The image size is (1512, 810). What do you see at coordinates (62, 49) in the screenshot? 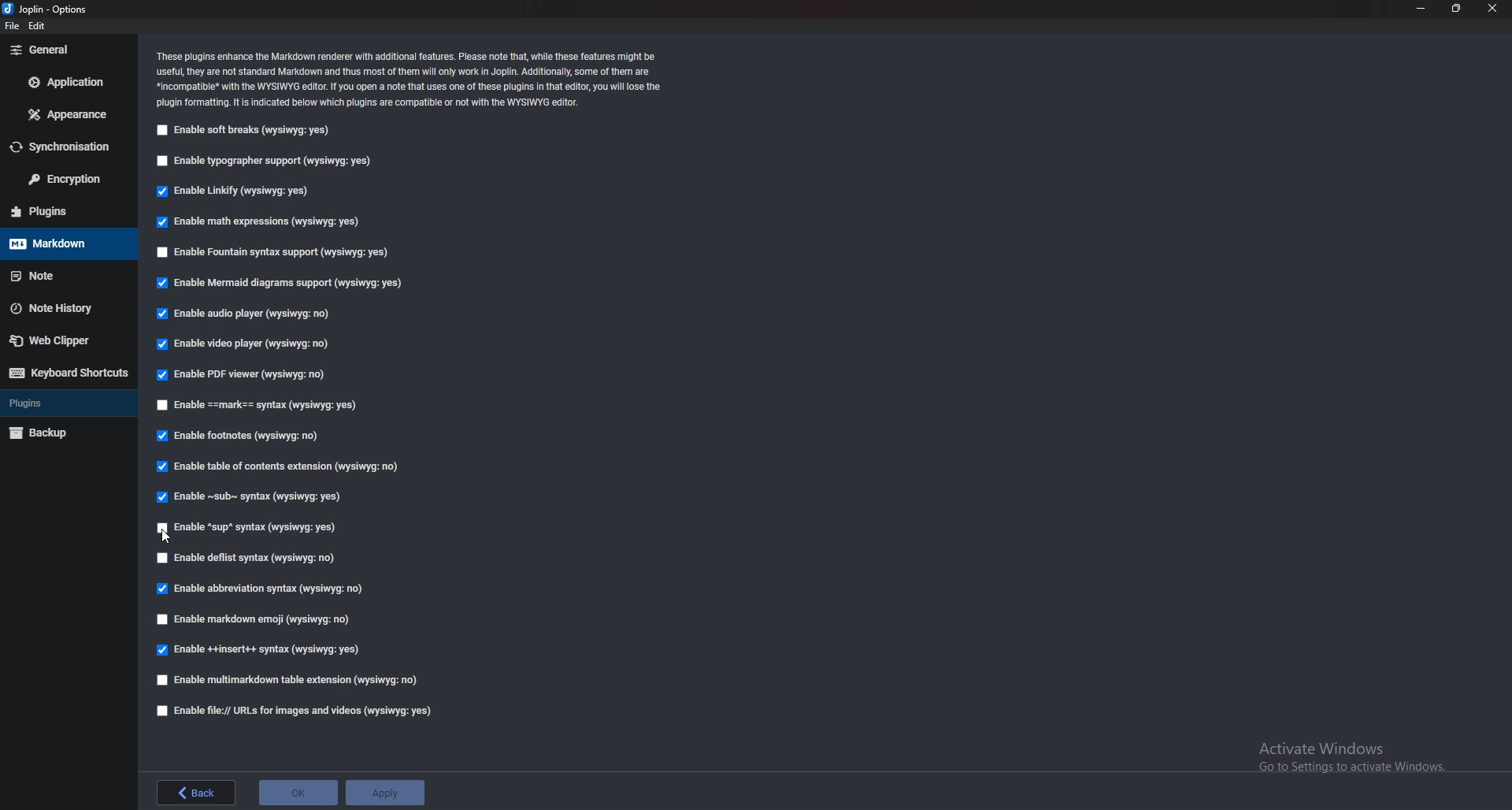
I see `General` at bounding box center [62, 49].